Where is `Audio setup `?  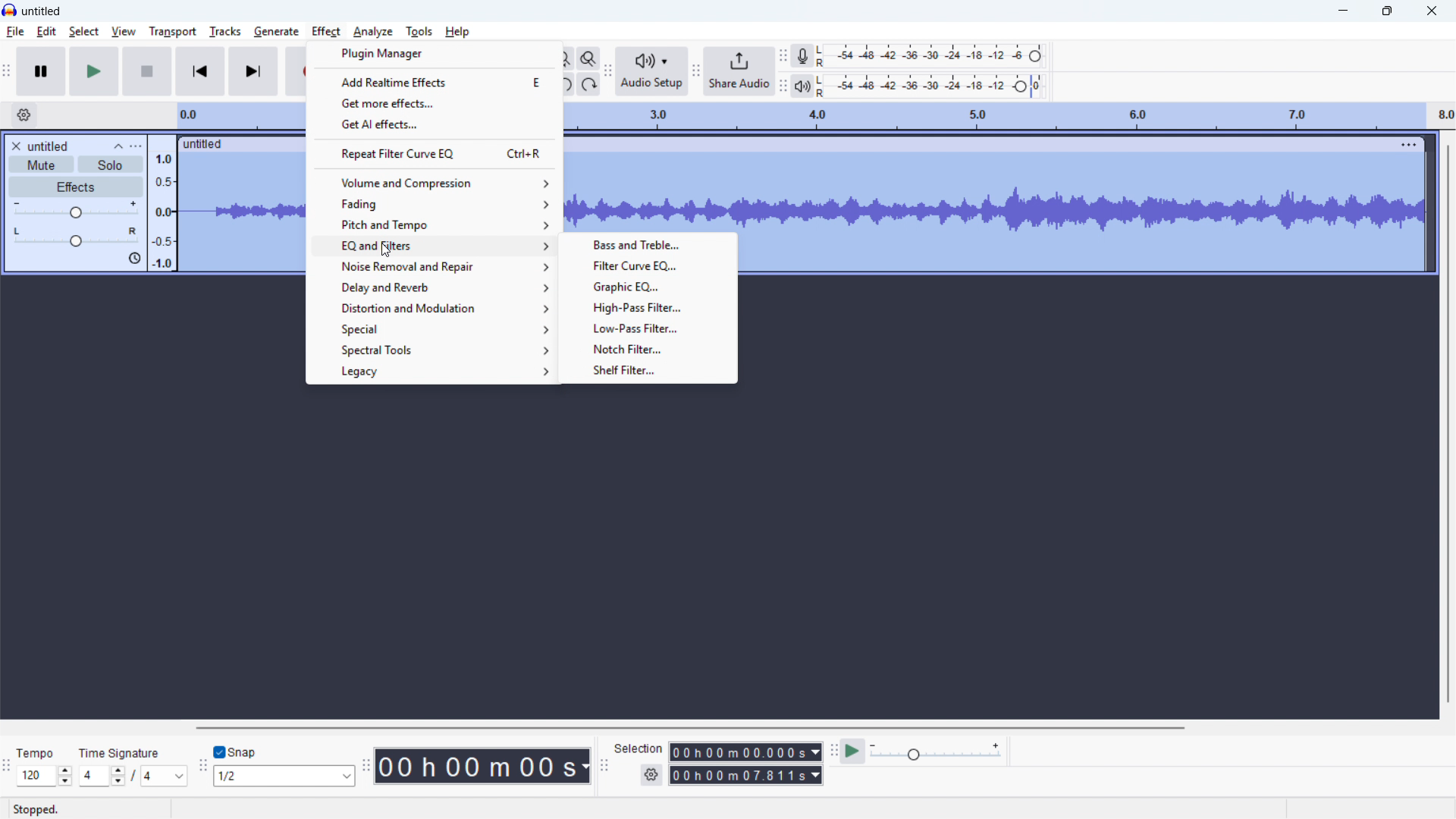
Audio setup  is located at coordinates (651, 71).